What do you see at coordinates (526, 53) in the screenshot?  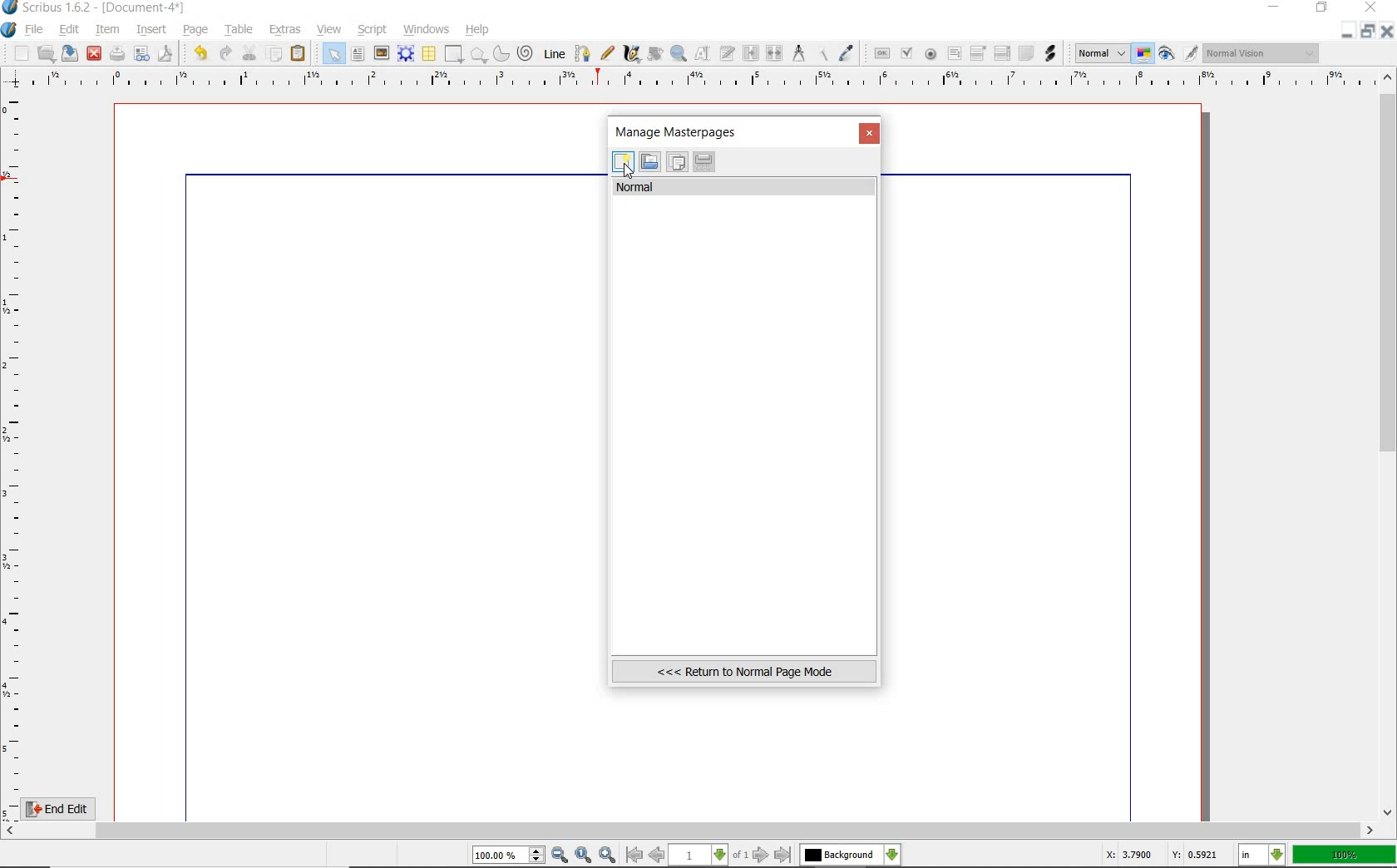 I see `spiral` at bounding box center [526, 53].